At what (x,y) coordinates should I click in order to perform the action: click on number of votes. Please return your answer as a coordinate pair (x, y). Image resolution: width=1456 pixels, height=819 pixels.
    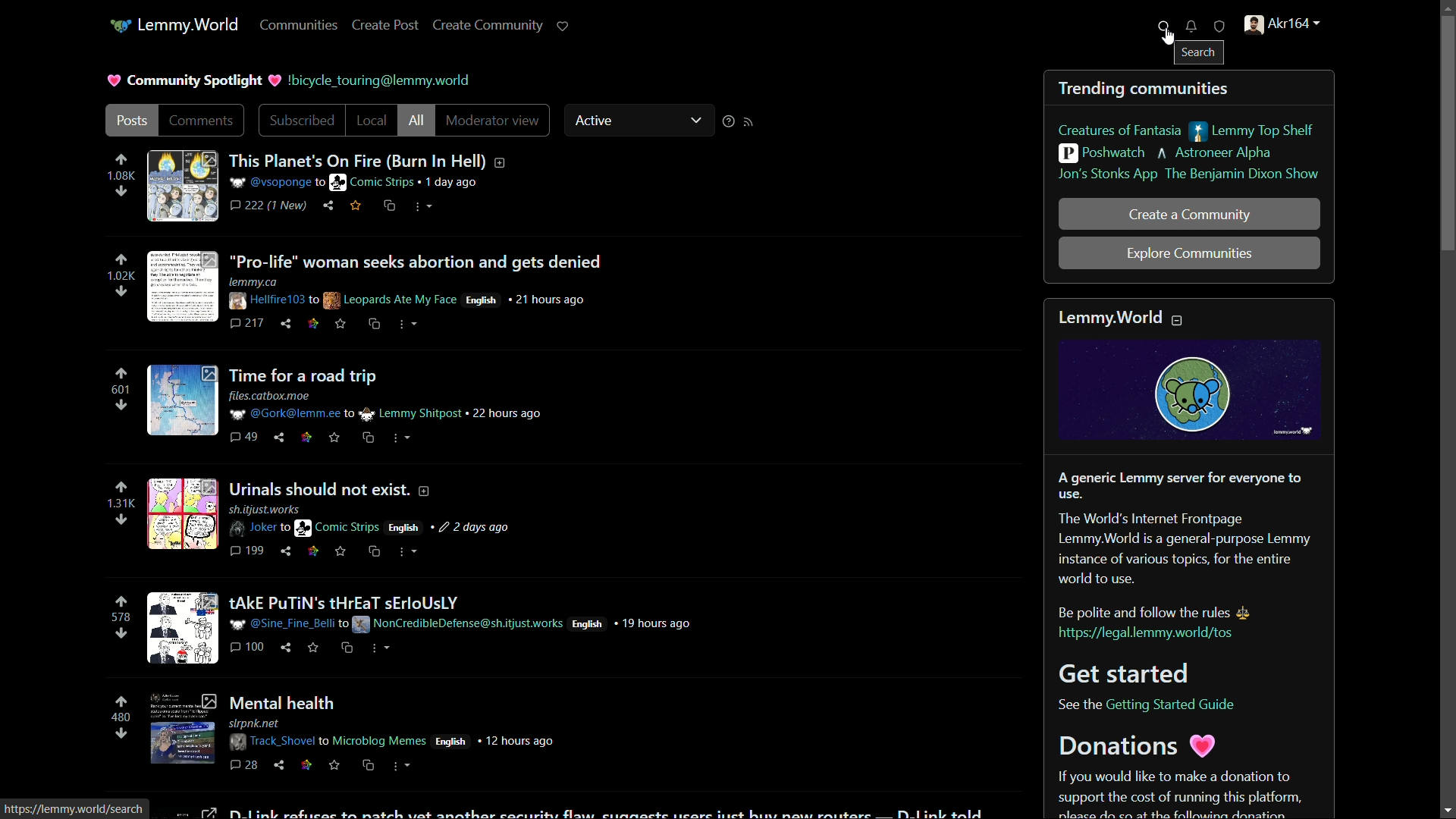
    Looking at the image, I should click on (117, 177).